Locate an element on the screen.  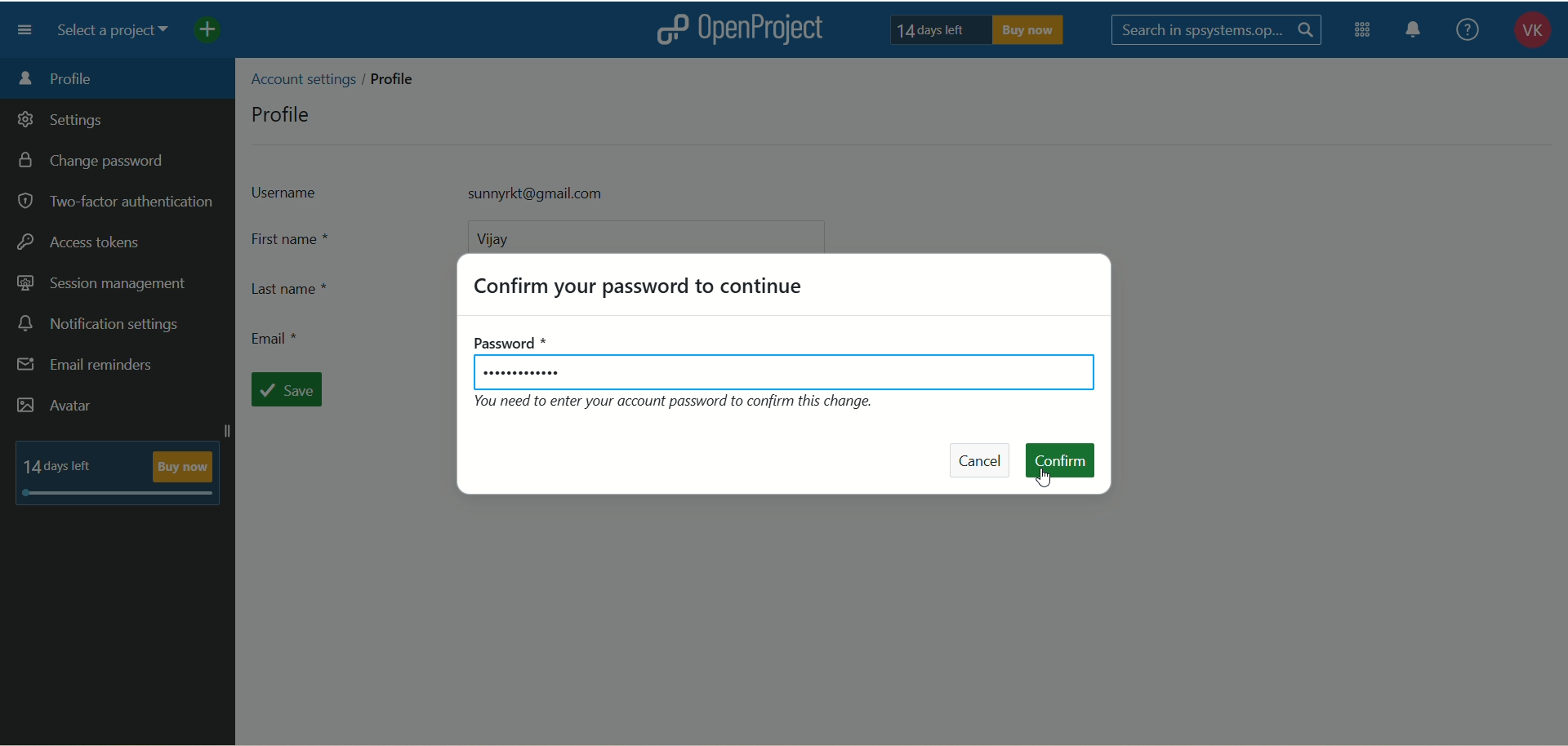
add project is located at coordinates (219, 33).